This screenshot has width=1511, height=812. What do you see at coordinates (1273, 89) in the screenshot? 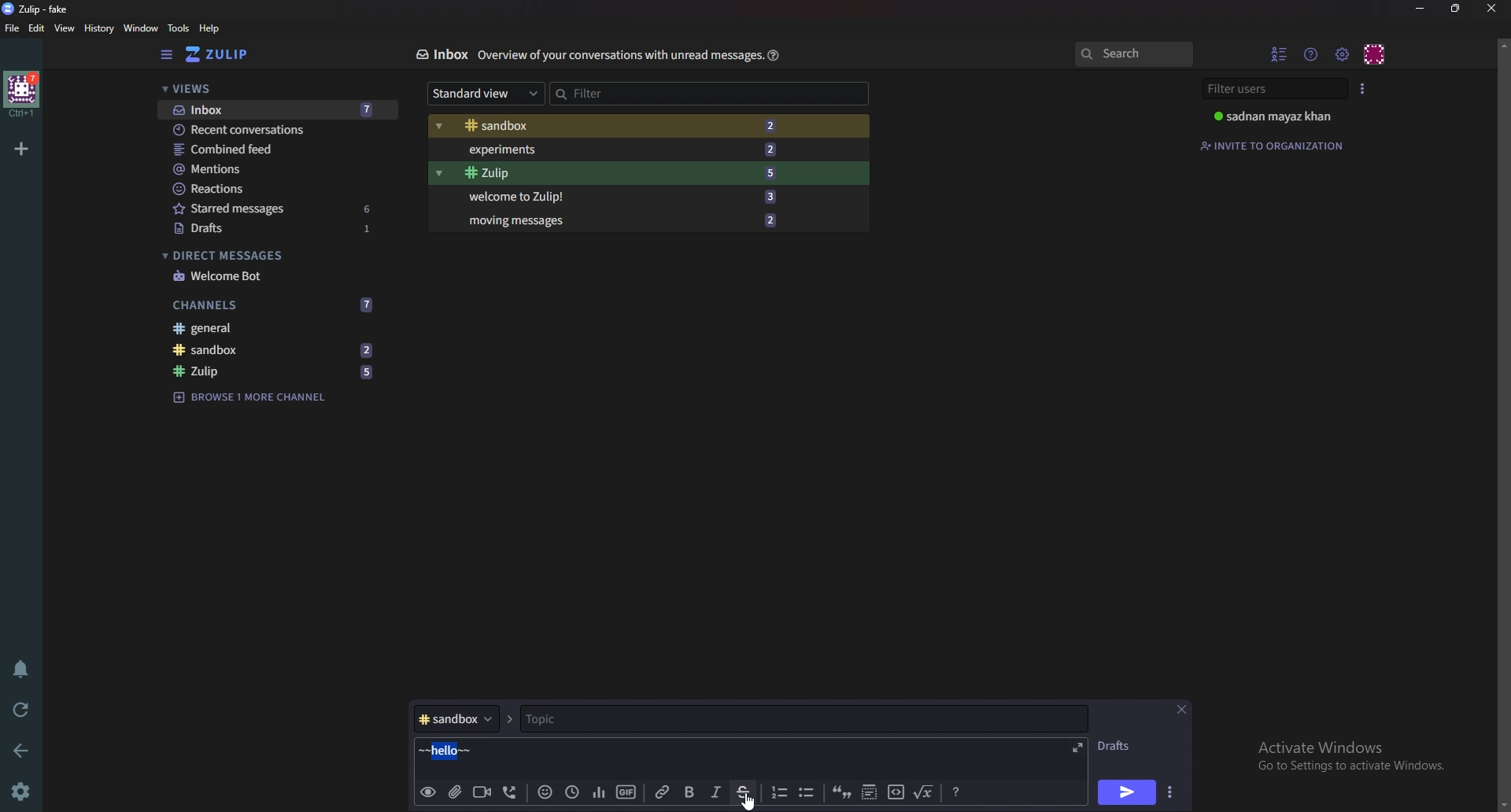
I see `Filter users` at bounding box center [1273, 89].